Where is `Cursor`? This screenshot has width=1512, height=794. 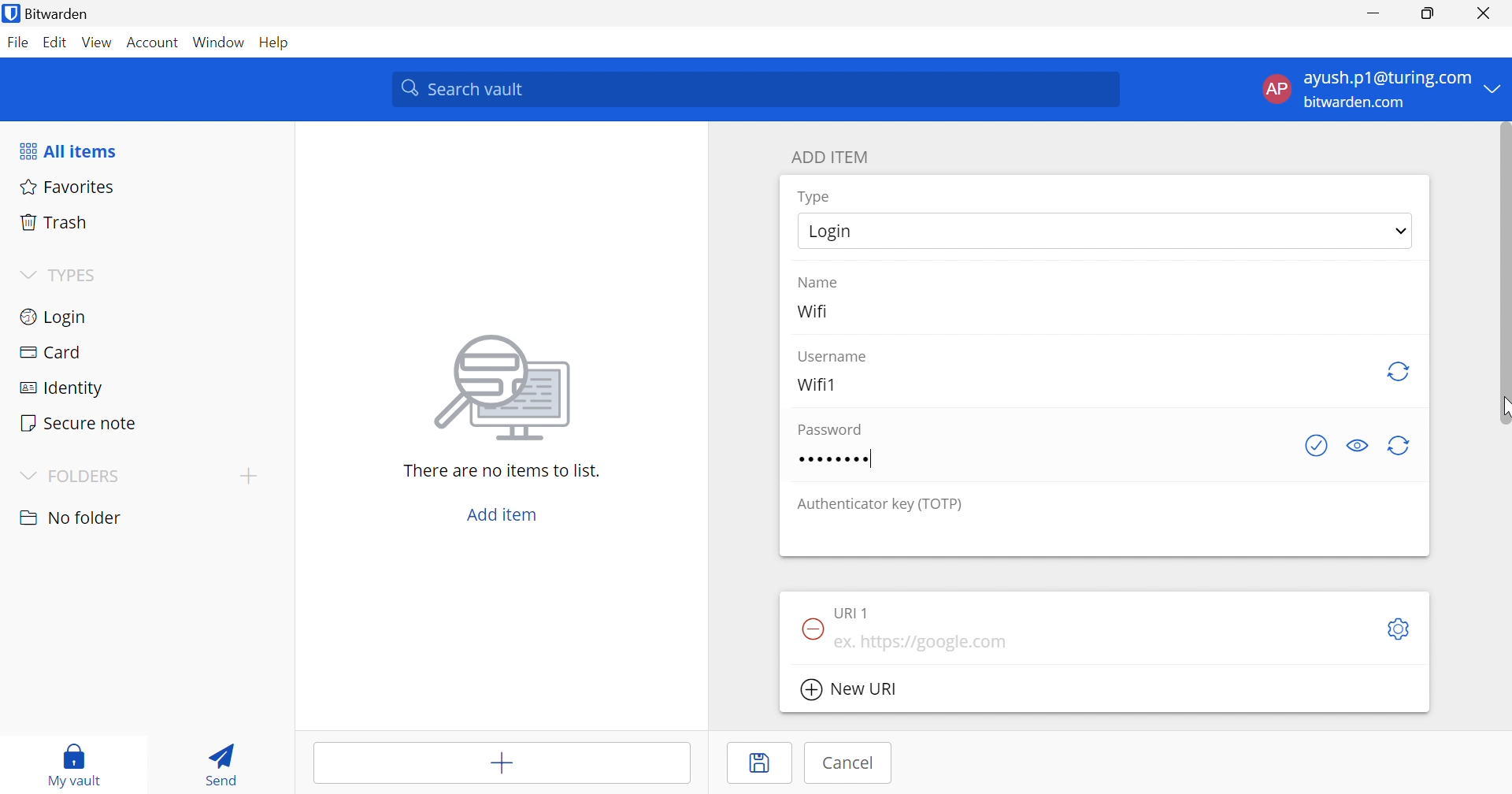 Cursor is located at coordinates (1501, 410).